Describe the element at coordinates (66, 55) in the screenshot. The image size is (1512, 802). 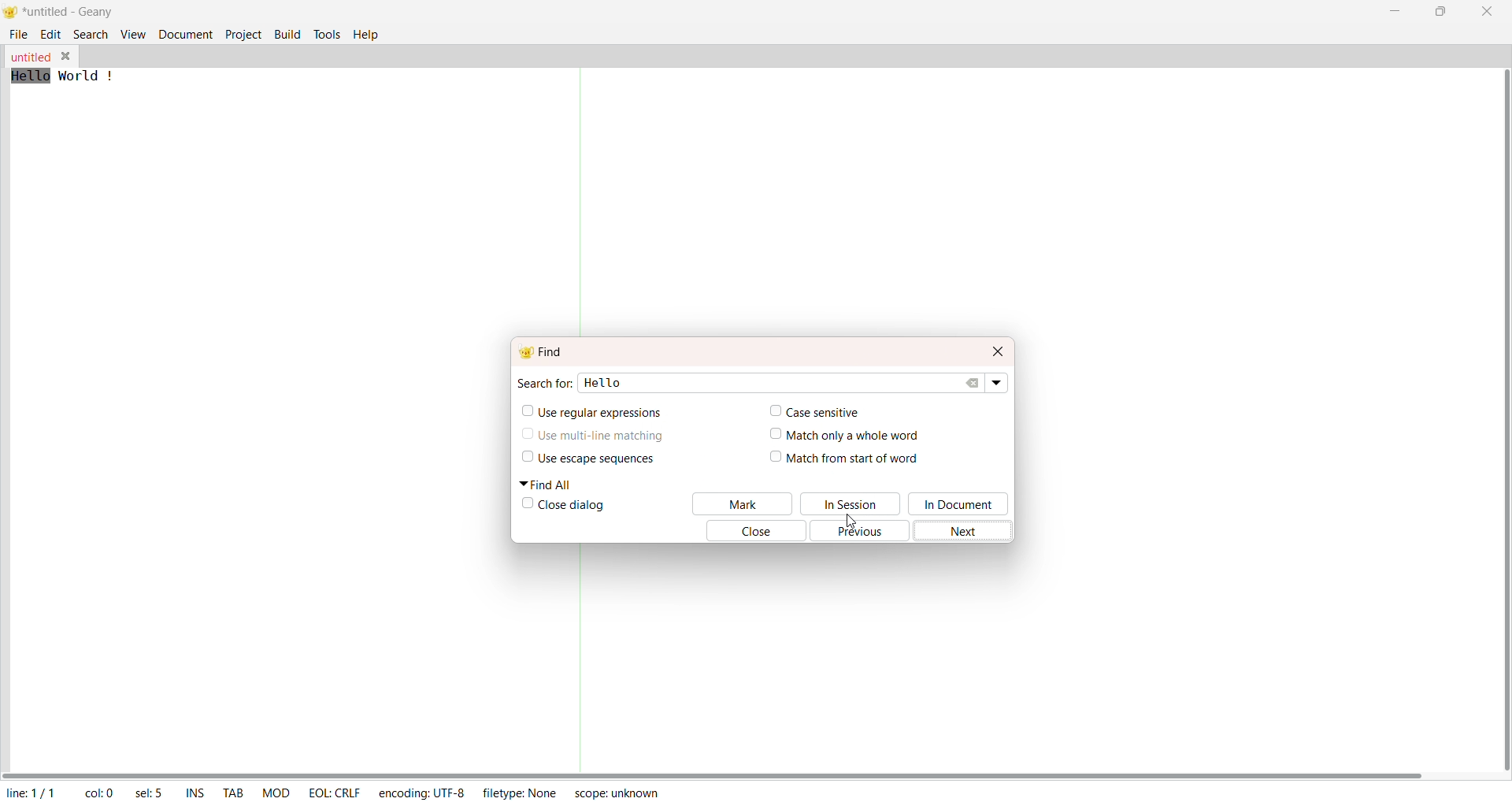
I see `Close File` at that location.